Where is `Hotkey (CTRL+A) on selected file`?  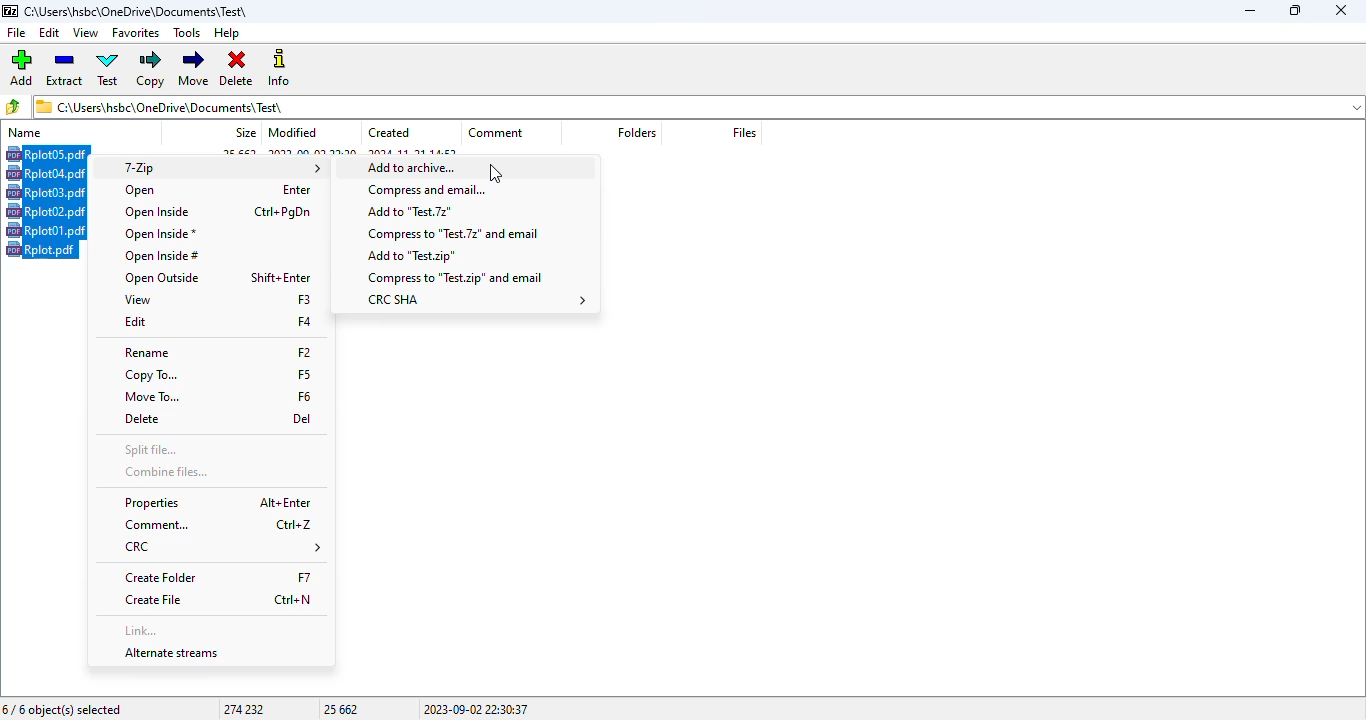 Hotkey (CTRL+A) on selected file is located at coordinates (48, 154).